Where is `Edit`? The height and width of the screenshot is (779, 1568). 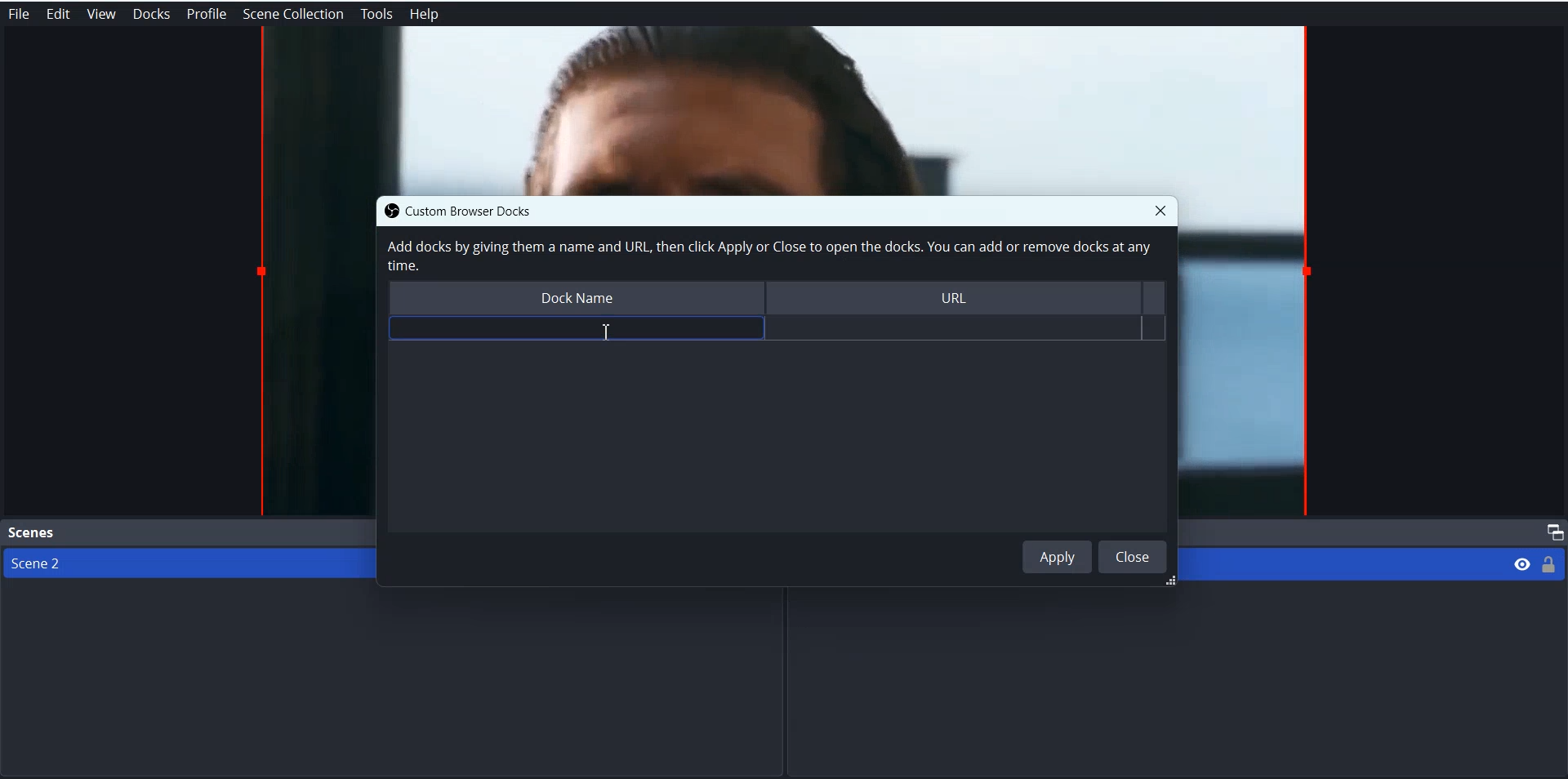
Edit is located at coordinates (57, 14).